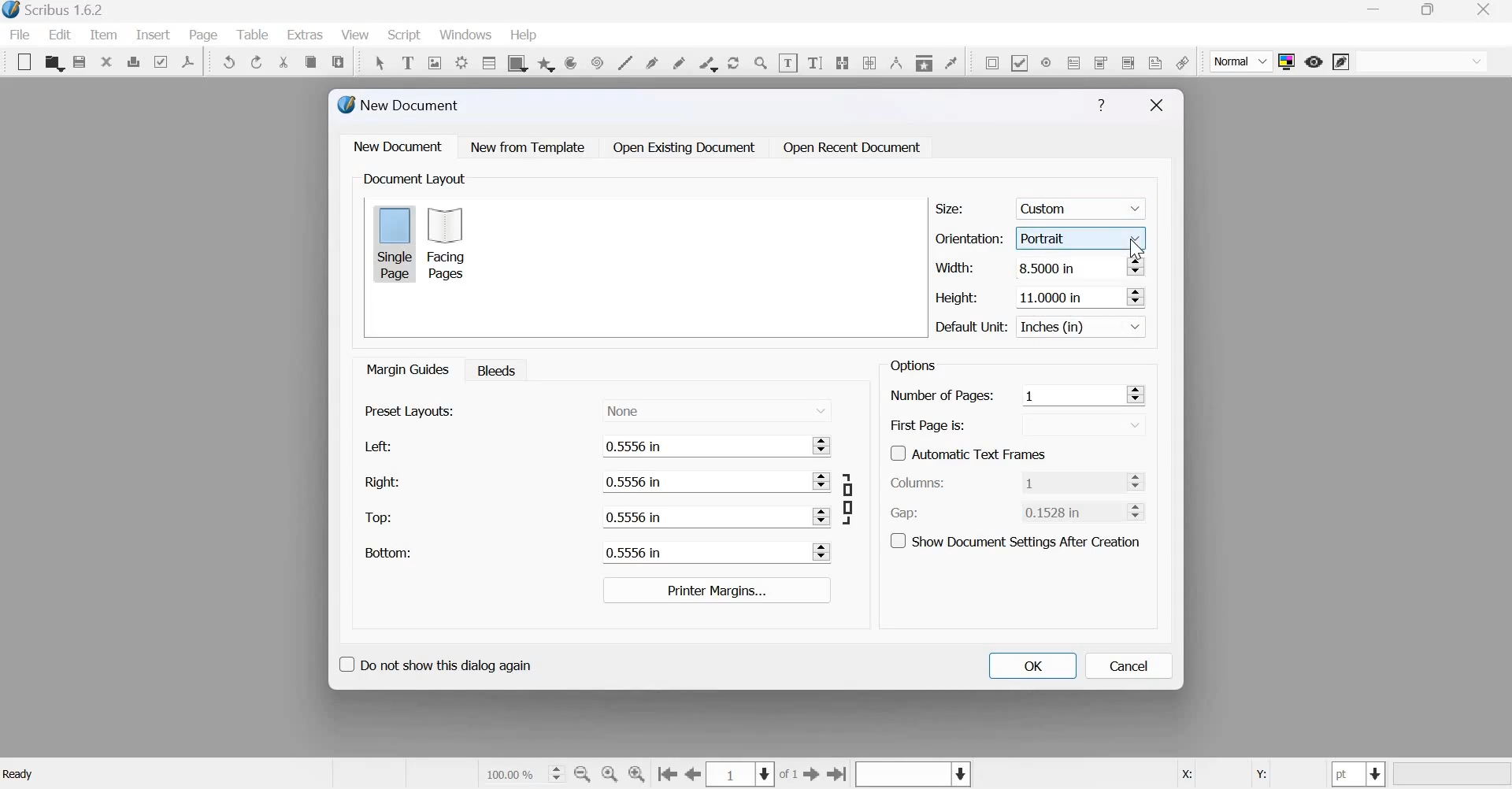 The image size is (1512, 789). I want to click on Increase and Decrease, so click(821, 516).